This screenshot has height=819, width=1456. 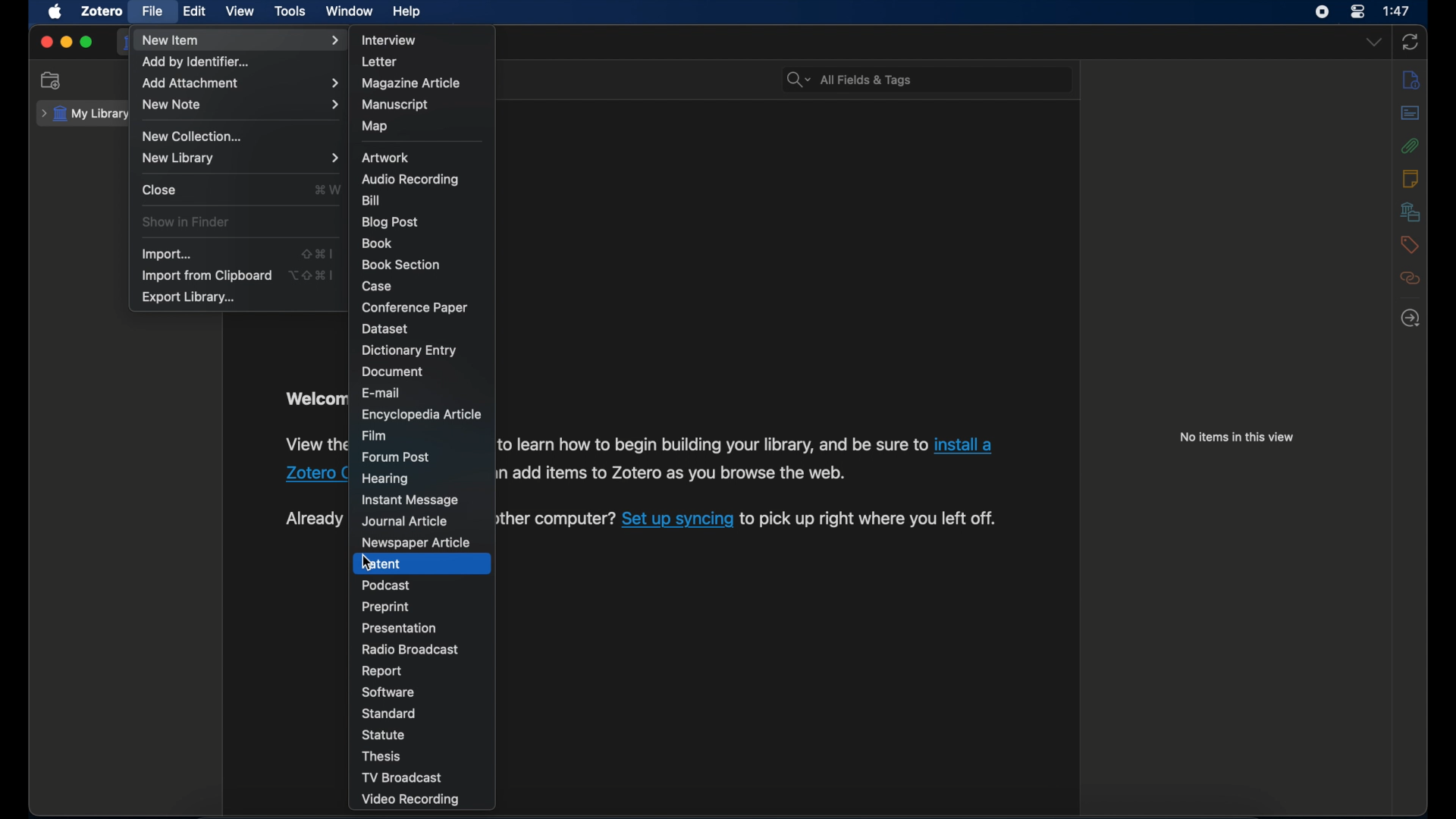 What do you see at coordinates (388, 607) in the screenshot?
I see `preprint` at bounding box center [388, 607].